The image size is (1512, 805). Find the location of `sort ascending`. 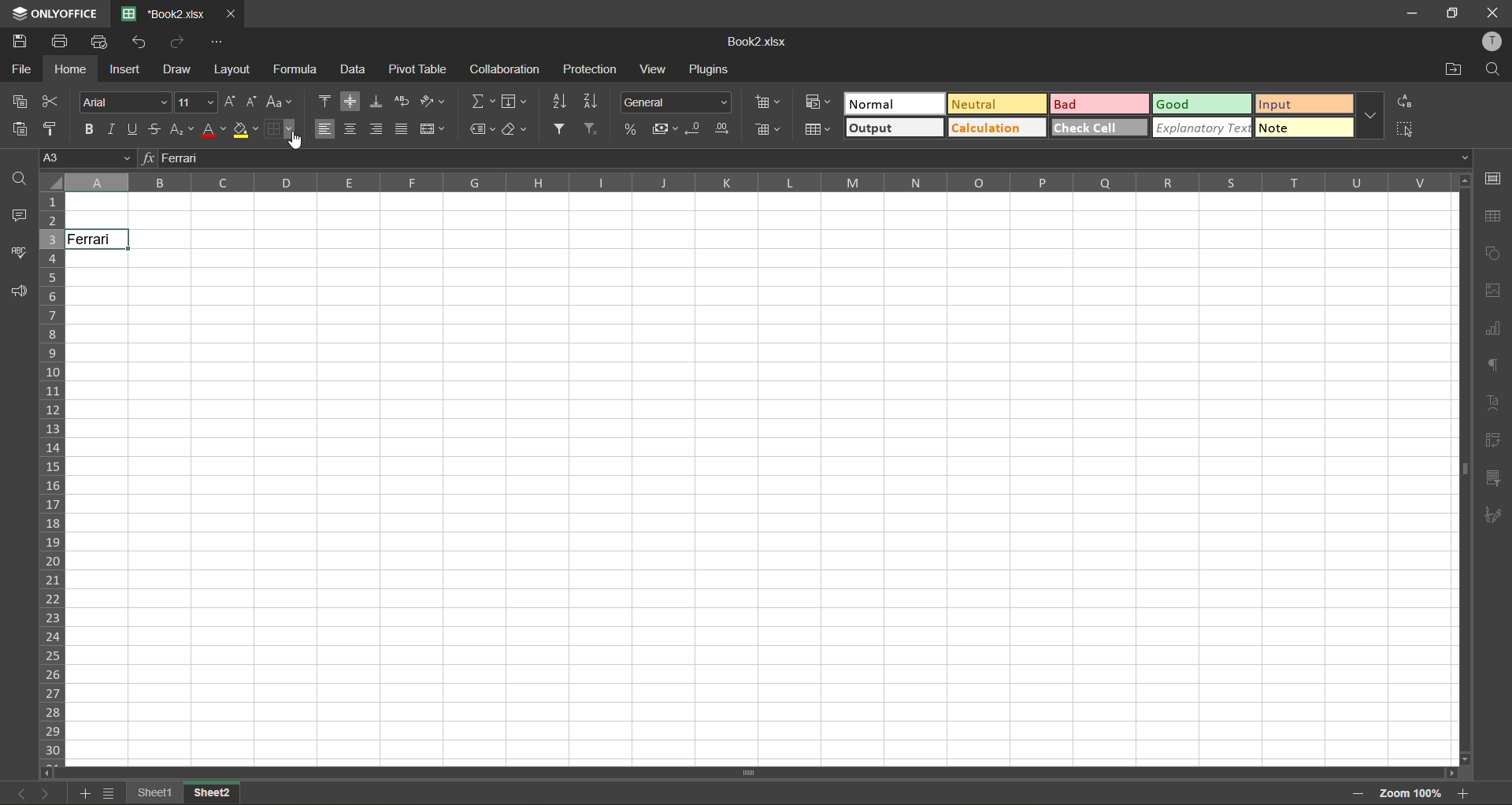

sort ascending is located at coordinates (559, 102).